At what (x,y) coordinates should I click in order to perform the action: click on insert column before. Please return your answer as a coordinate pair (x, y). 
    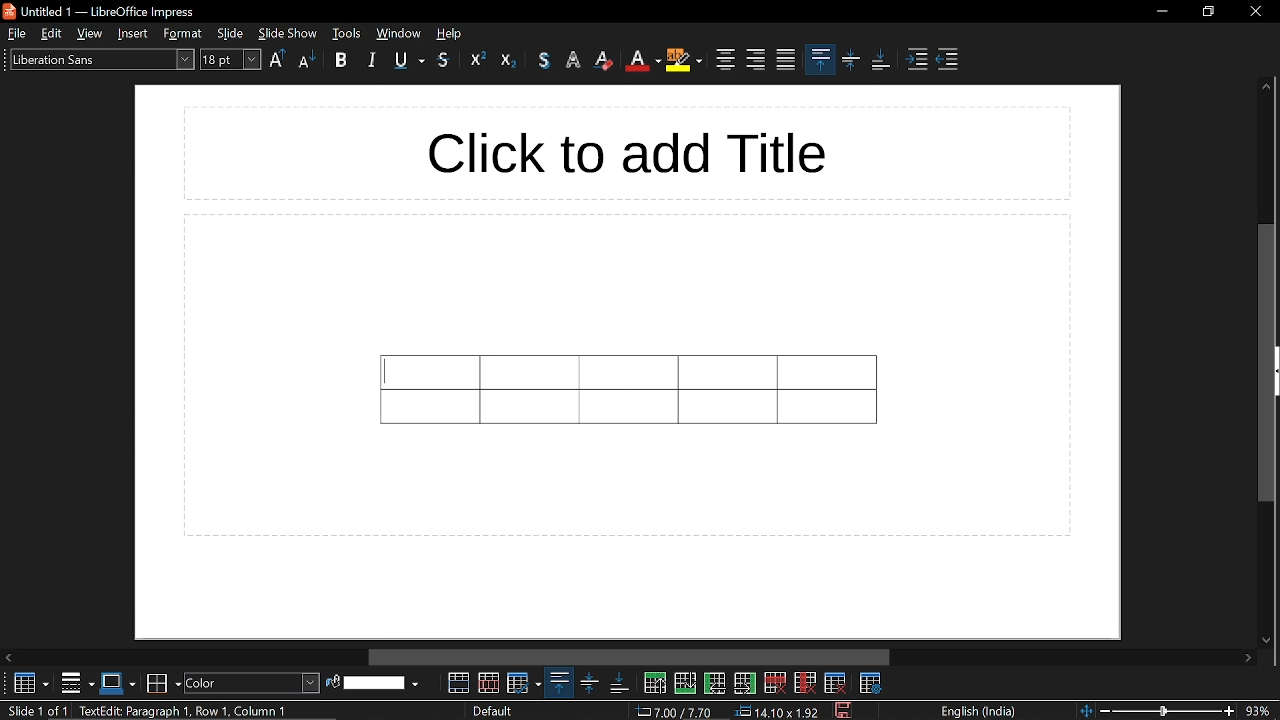
    Looking at the image, I should click on (715, 683).